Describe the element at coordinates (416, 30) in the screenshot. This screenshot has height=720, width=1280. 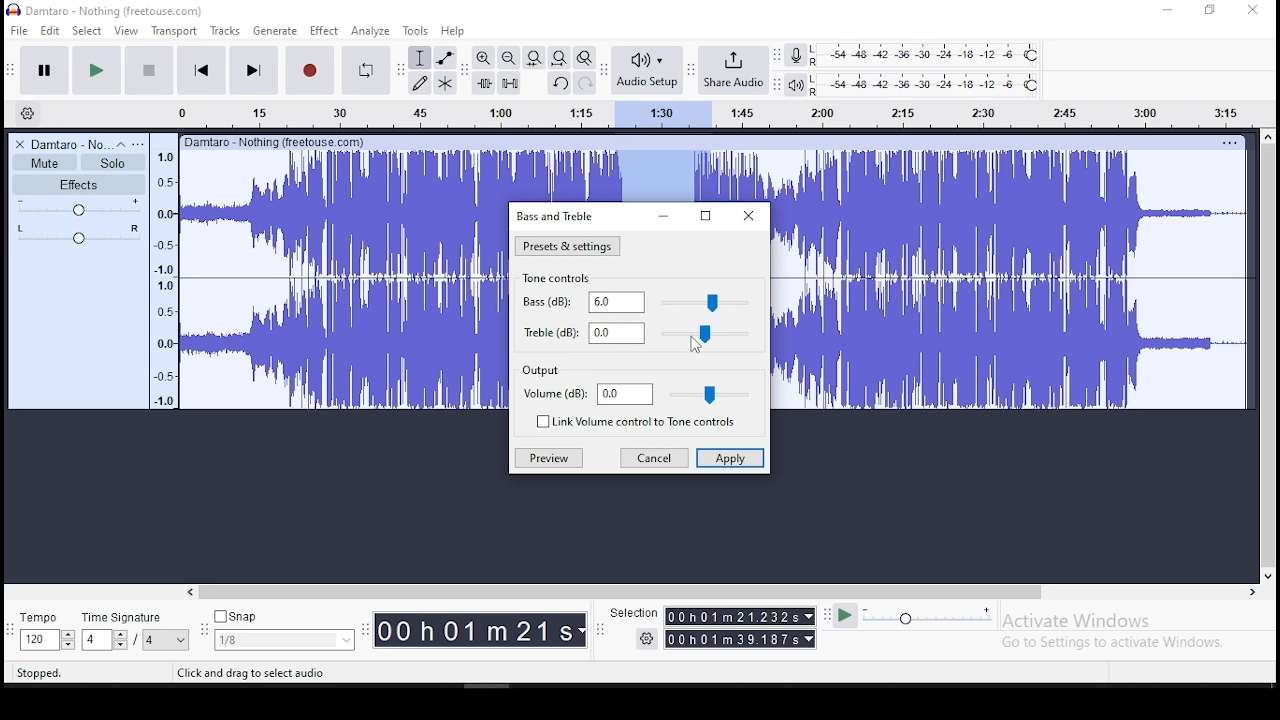
I see `tools` at that location.